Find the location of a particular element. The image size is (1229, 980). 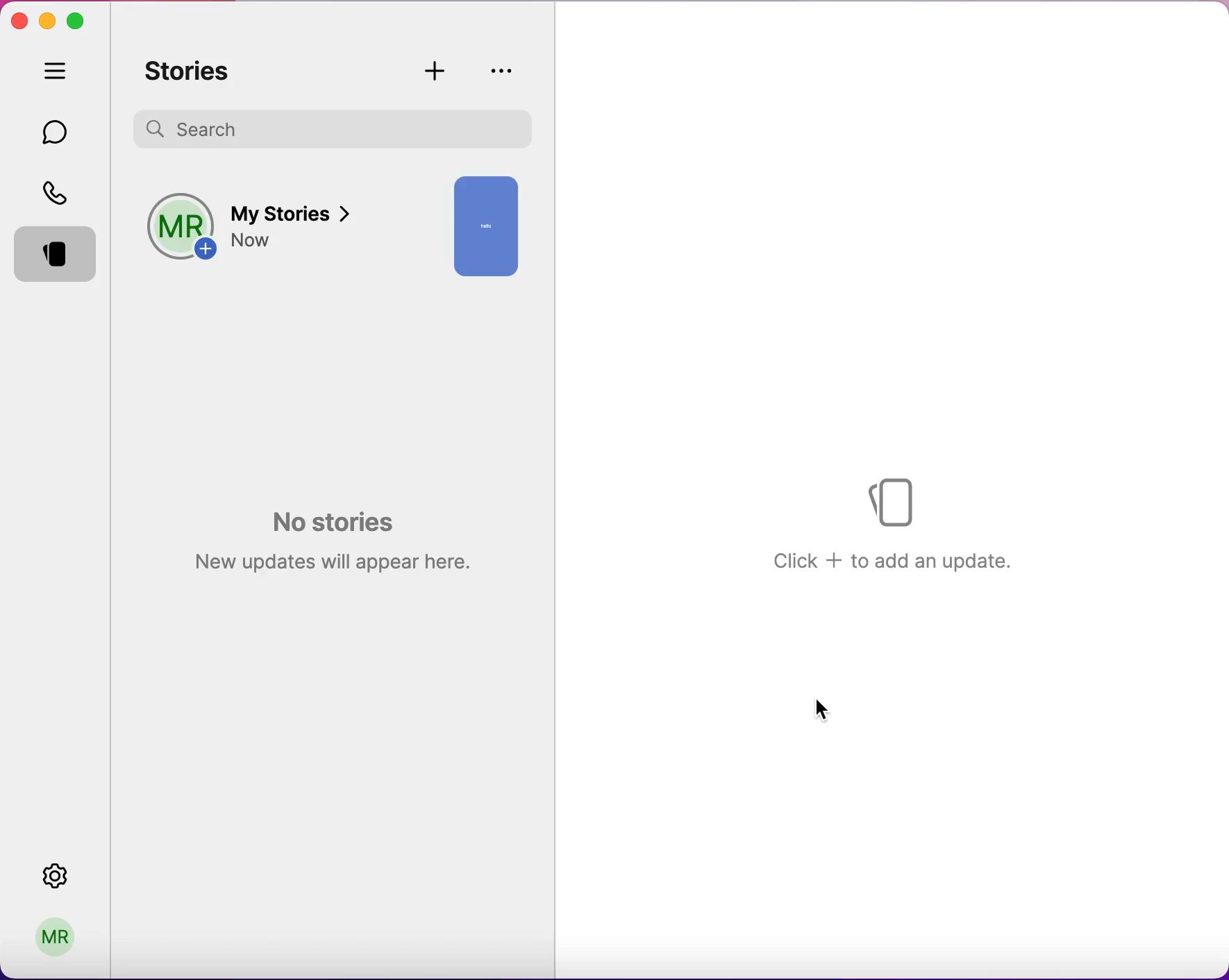

chats is located at coordinates (58, 131).